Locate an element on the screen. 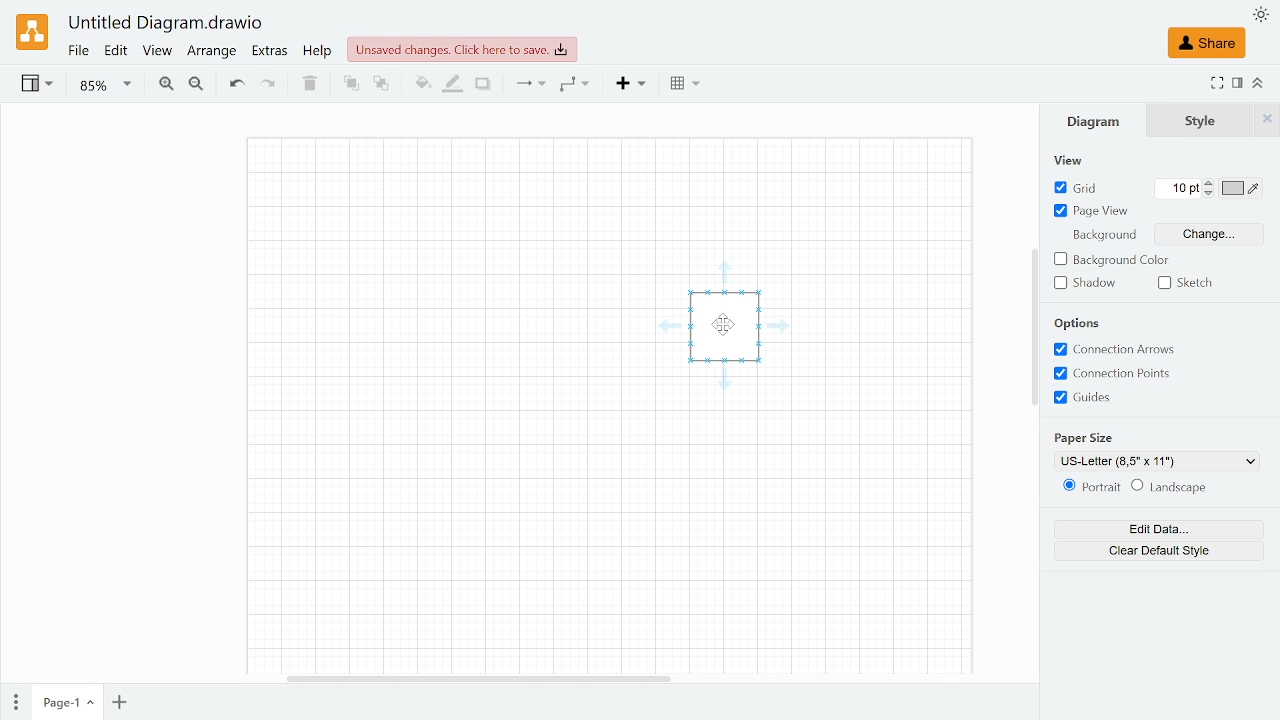 This screenshot has height=720, width=1280. Sketch is located at coordinates (1193, 284).